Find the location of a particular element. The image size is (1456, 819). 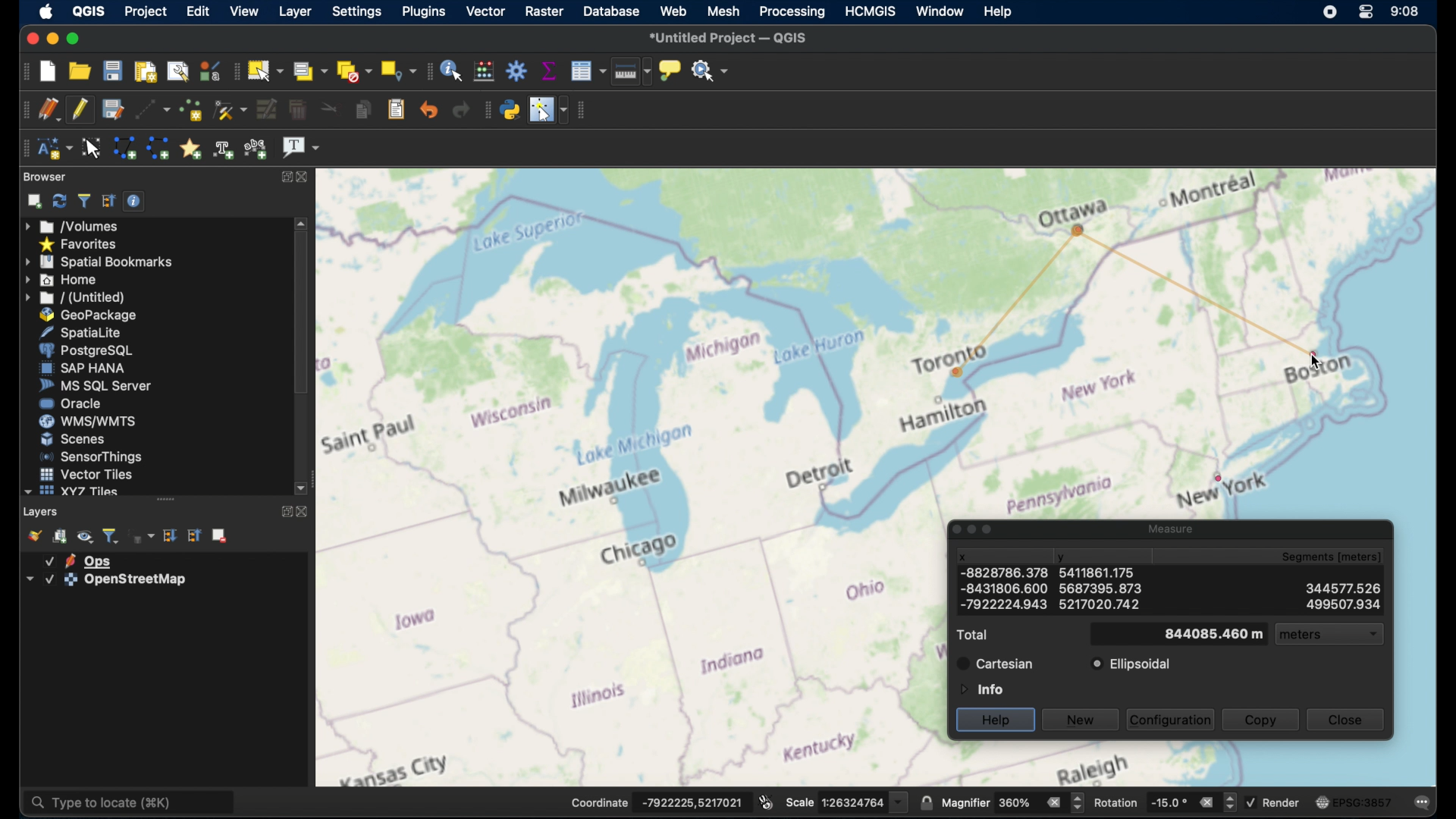

show statistical summary is located at coordinates (549, 69).